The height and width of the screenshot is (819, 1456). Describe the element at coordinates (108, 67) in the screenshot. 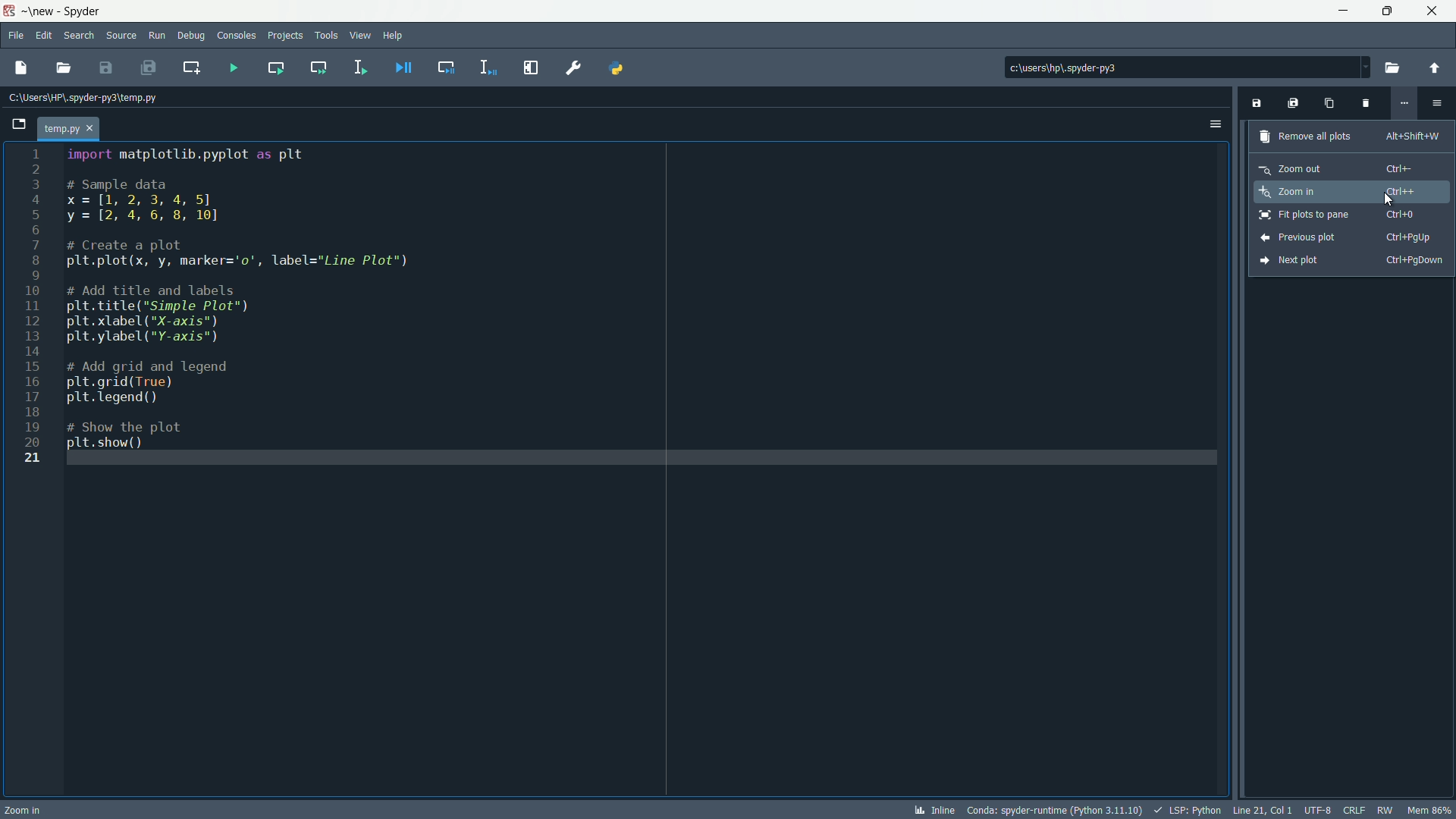

I see `save file` at that location.